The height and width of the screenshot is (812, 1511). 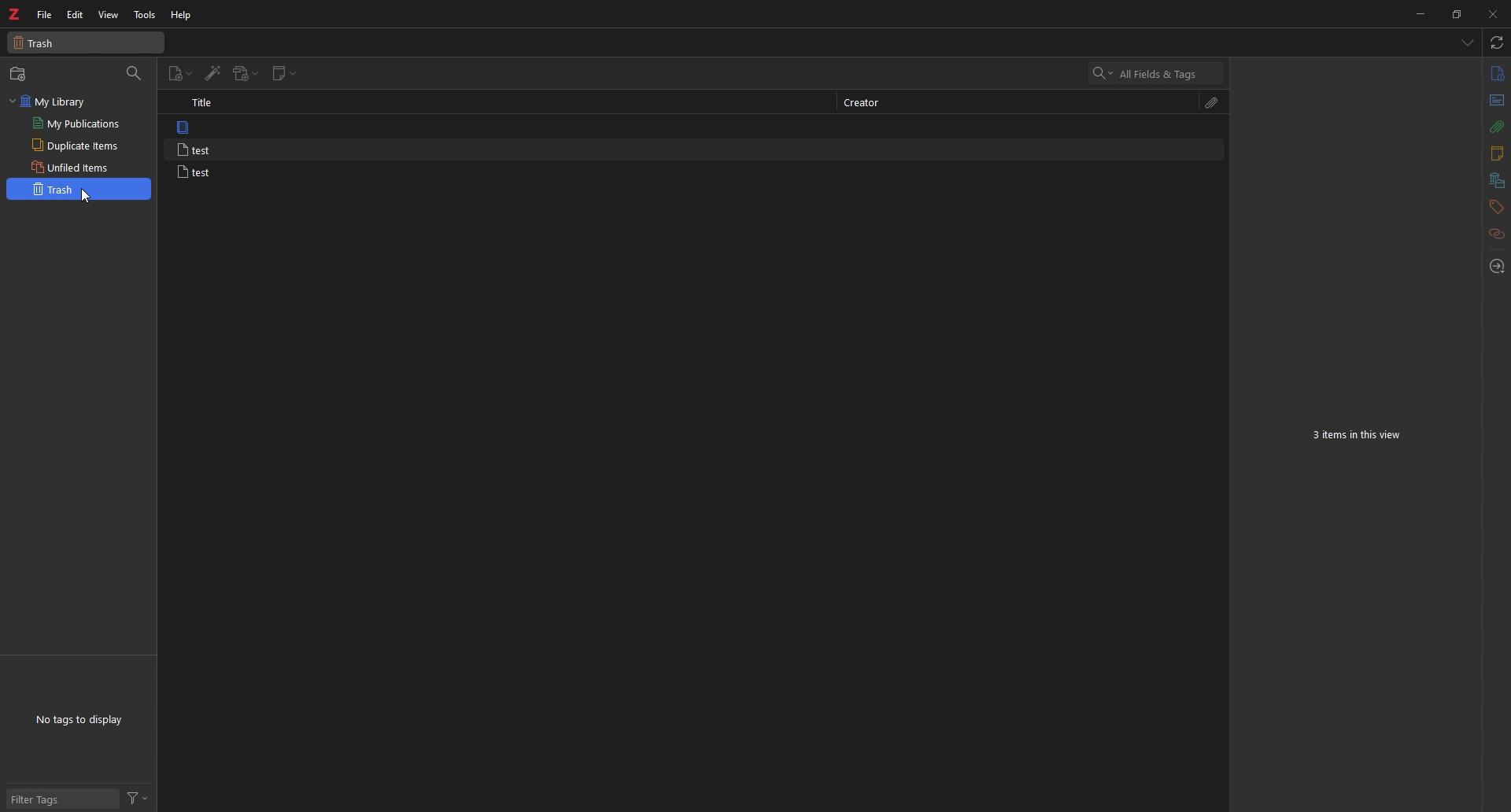 I want to click on sync with zotero.org, so click(x=1496, y=43).